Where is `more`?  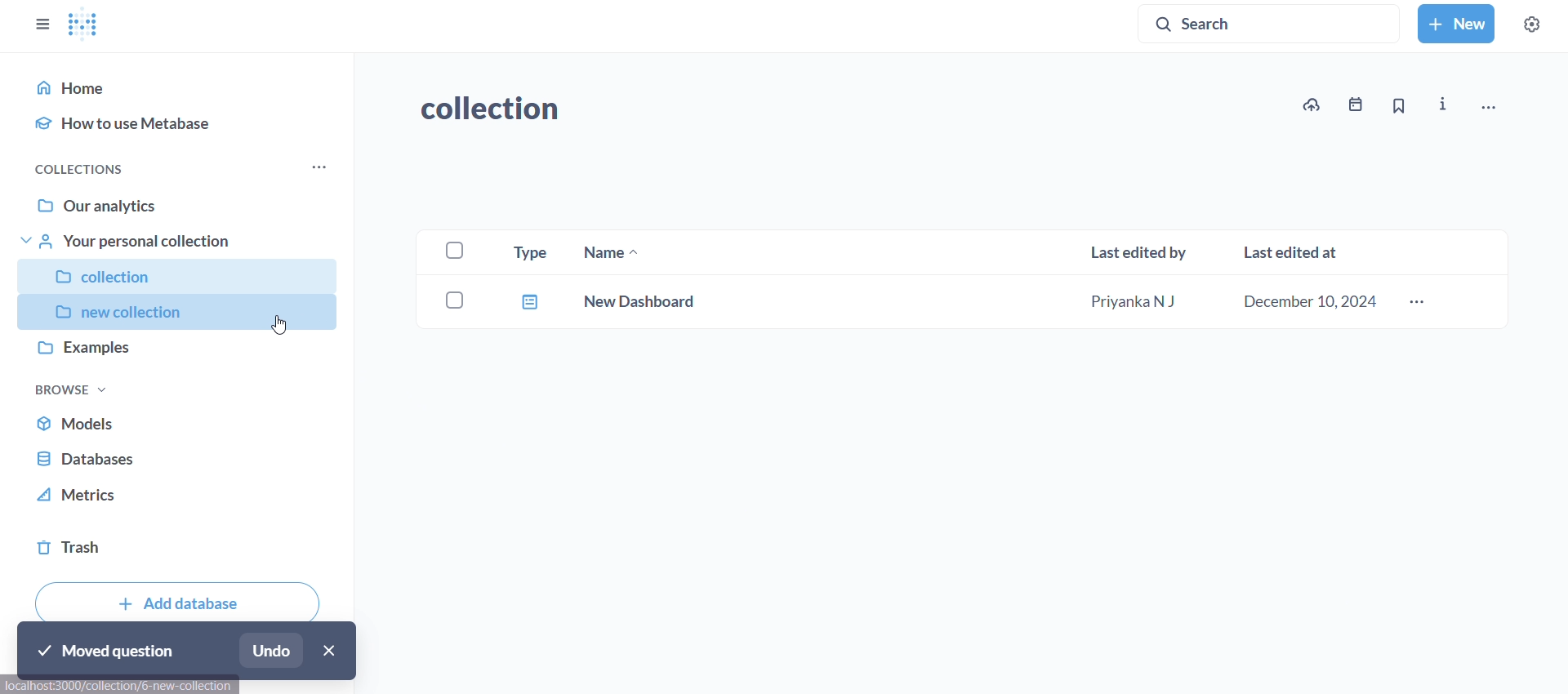 more is located at coordinates (315, 170).